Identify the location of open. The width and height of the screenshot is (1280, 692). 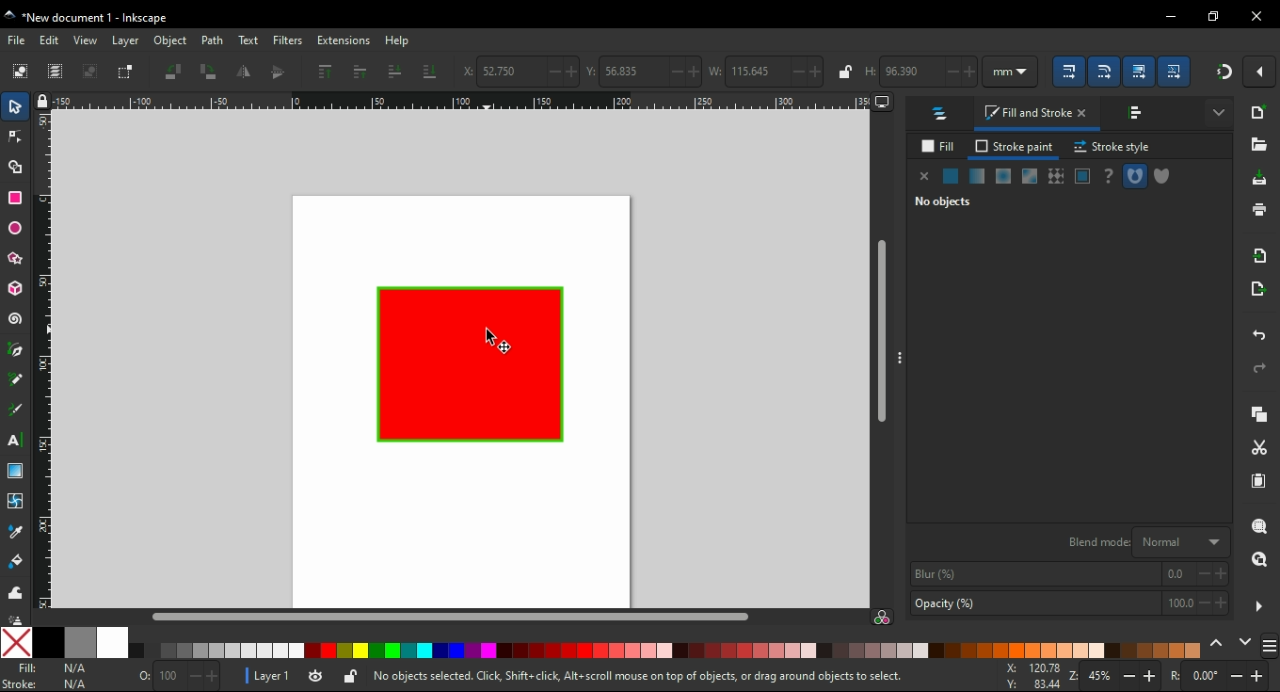
(1259, 146).